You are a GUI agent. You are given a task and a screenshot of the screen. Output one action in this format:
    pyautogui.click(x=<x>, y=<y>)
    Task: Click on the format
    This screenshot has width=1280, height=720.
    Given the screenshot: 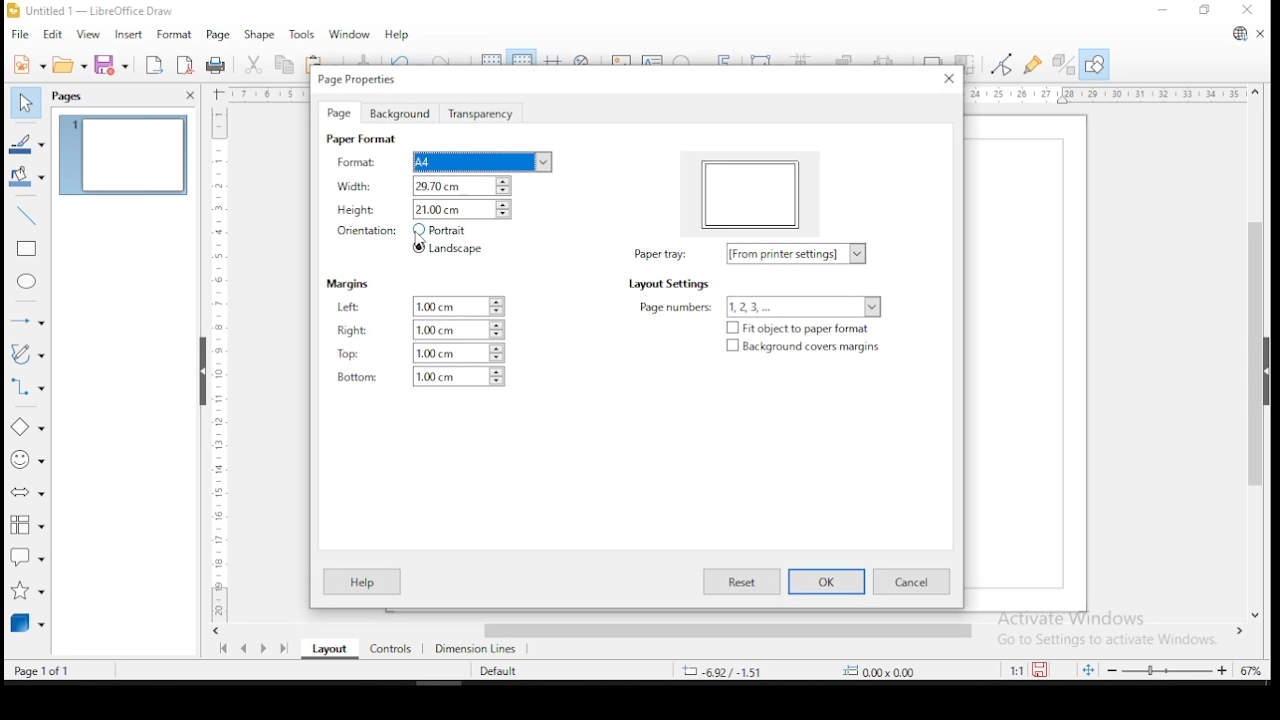 What is the action you would take?
    pyautogui.click(x=440, y=161)
    